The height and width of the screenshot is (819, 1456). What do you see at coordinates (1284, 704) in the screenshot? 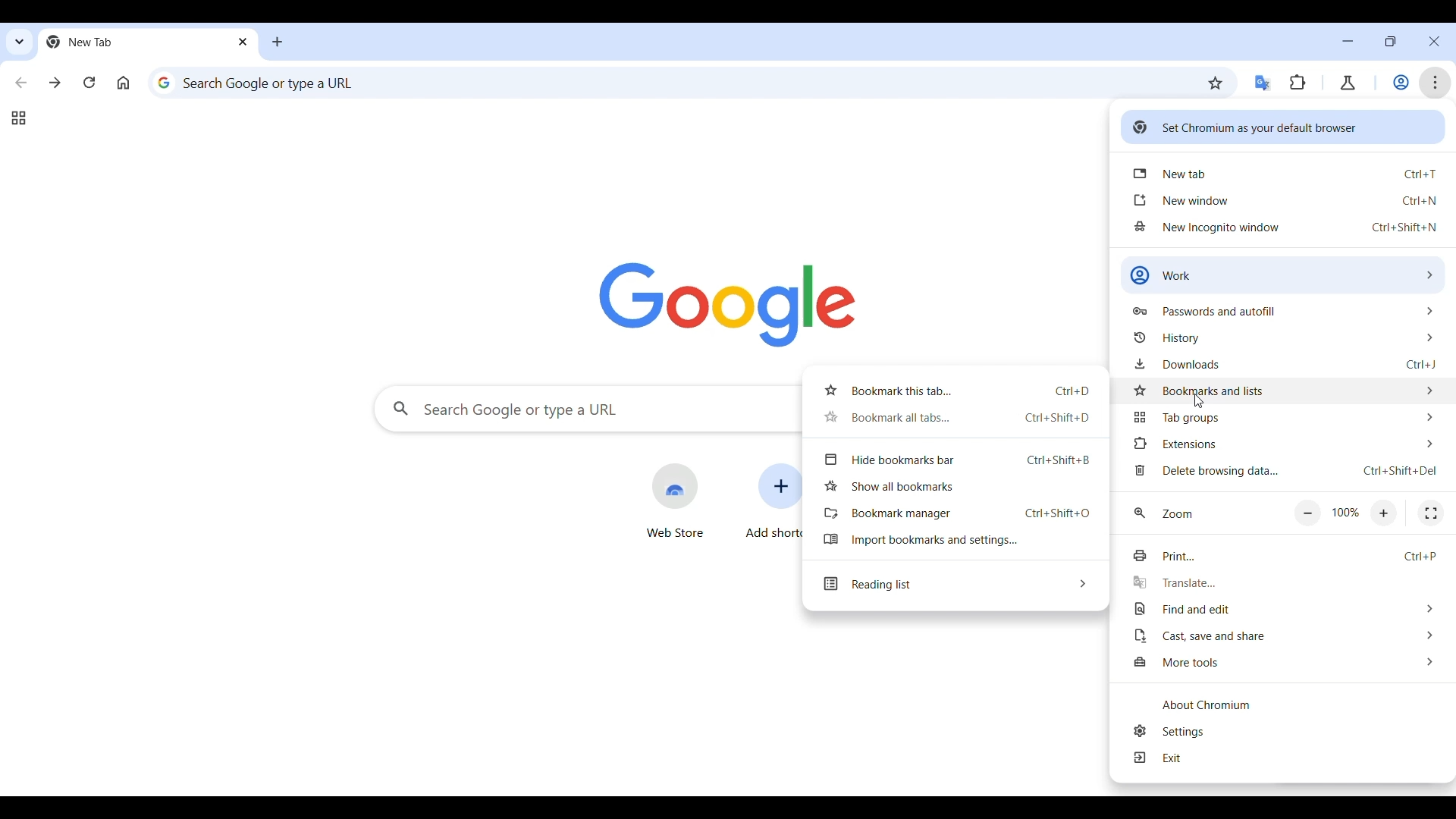
I see `About Chromium` at bounding box center [1284, 704].